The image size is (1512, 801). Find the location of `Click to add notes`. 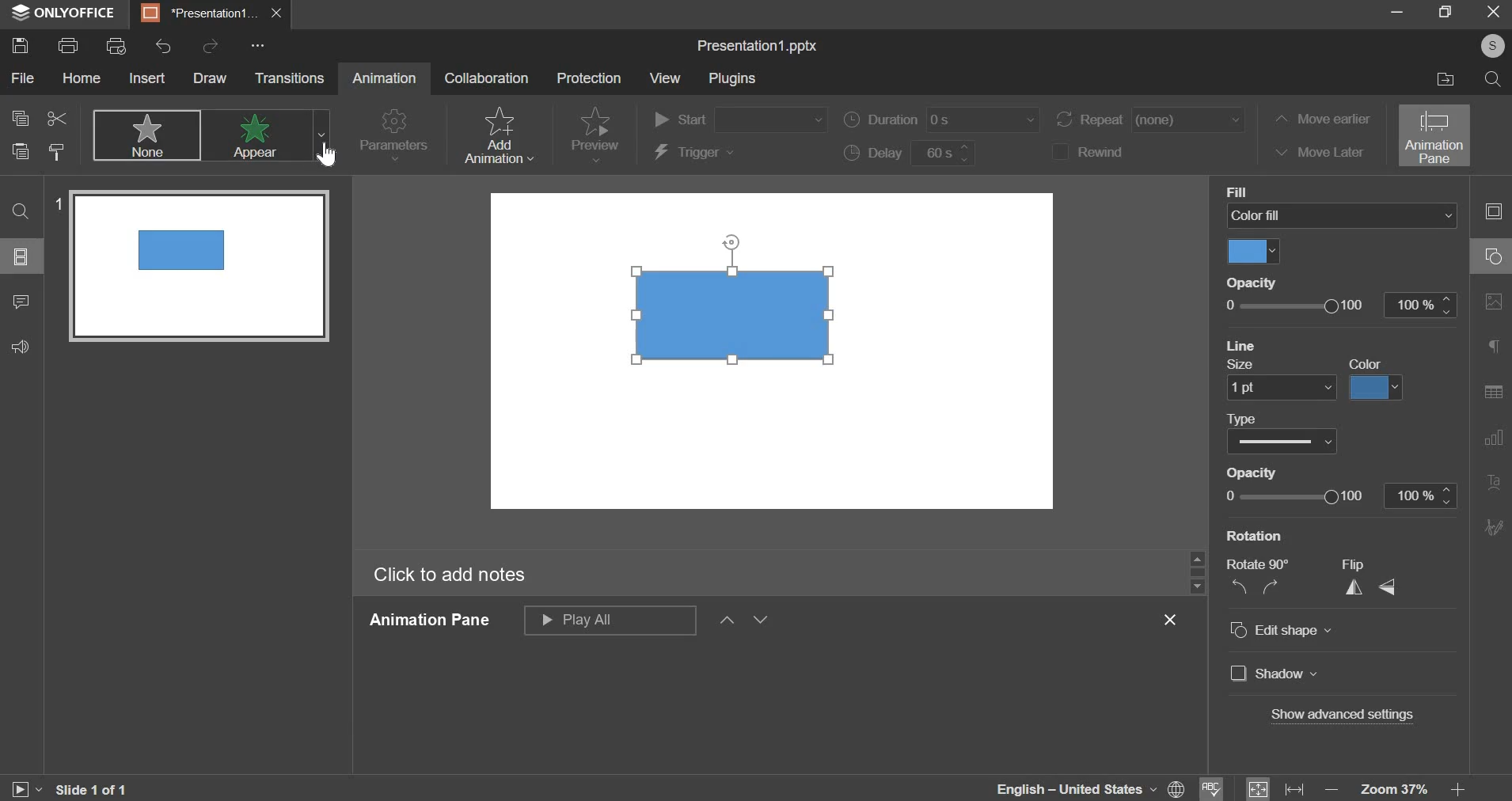

Click to add notes is located at coordinates (452, 575).